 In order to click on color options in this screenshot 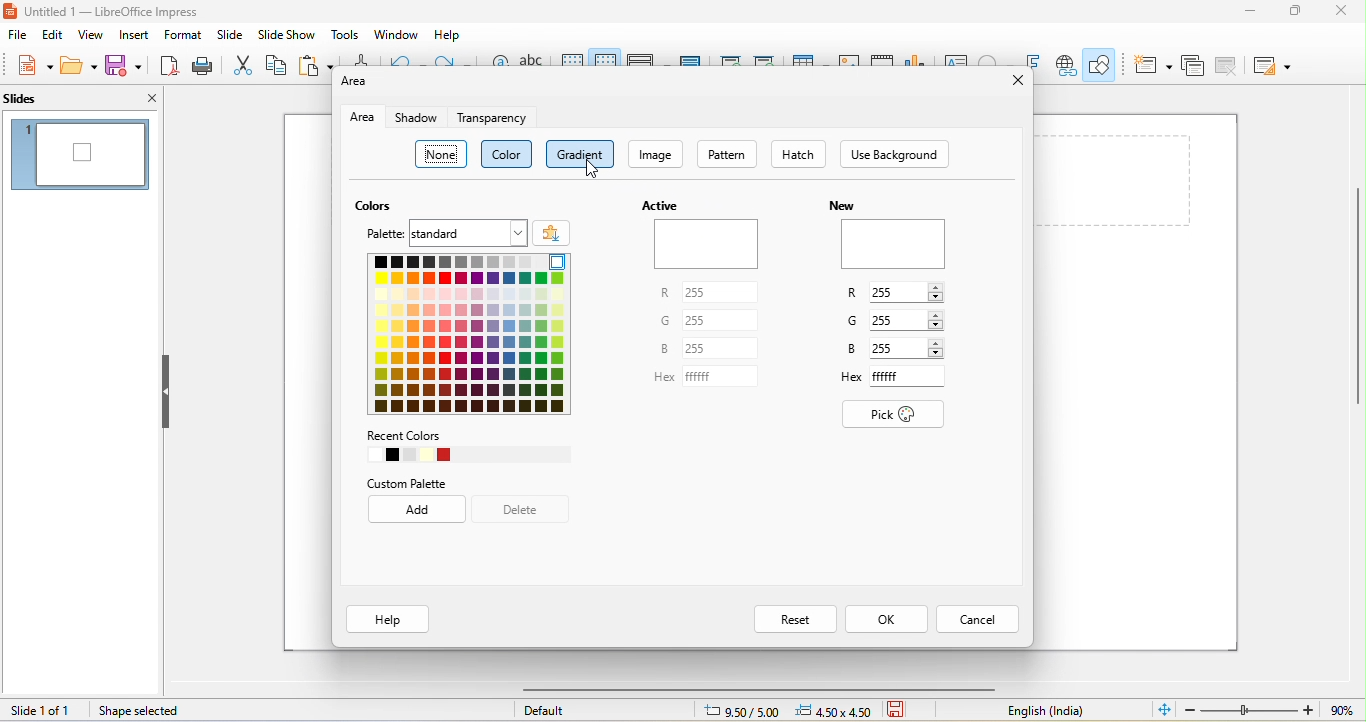, I will do `click(476, 335)`.